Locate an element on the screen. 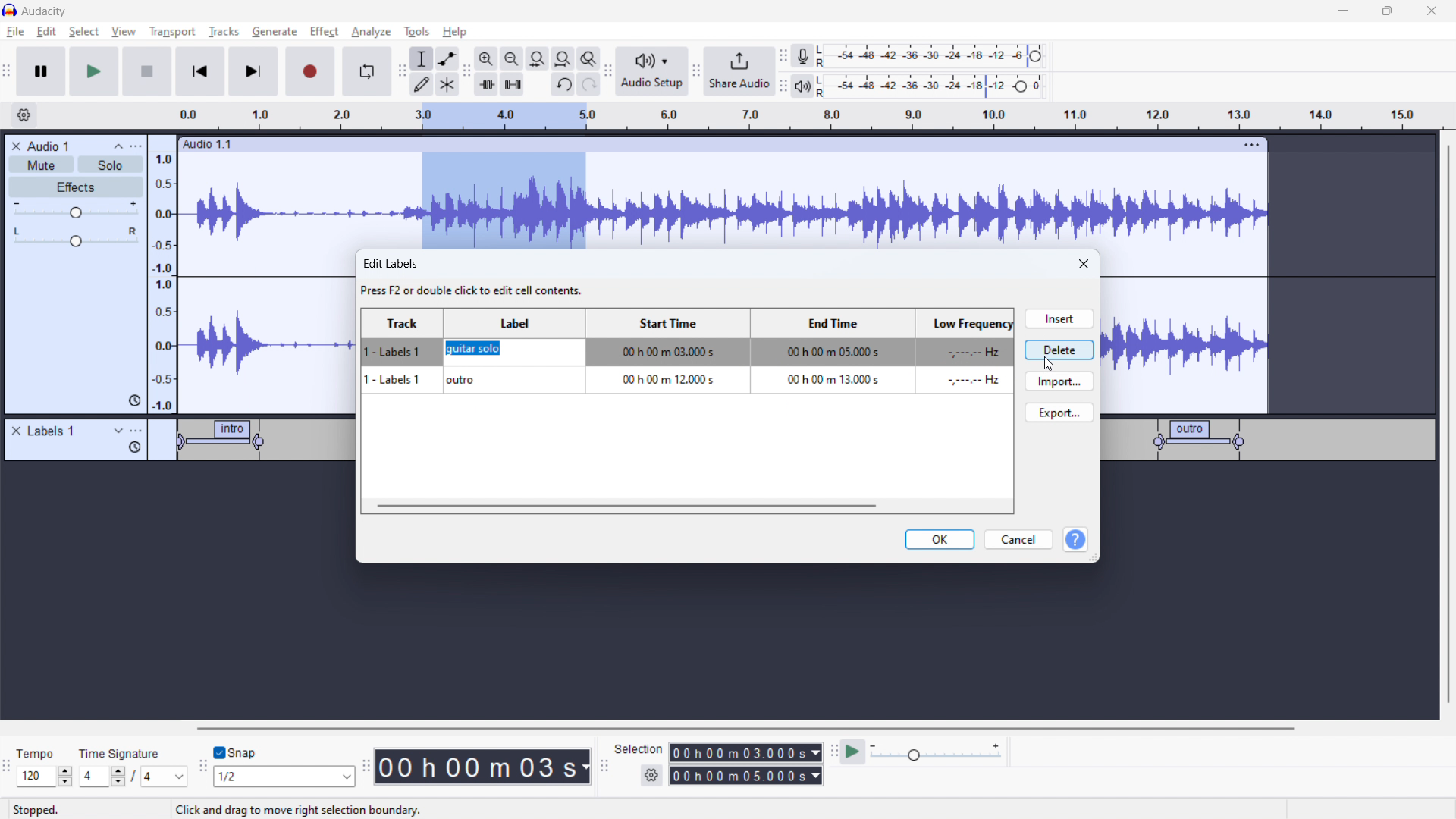 This screenshot has width=1456, height=819. import is located at coordinates (1059, 381).